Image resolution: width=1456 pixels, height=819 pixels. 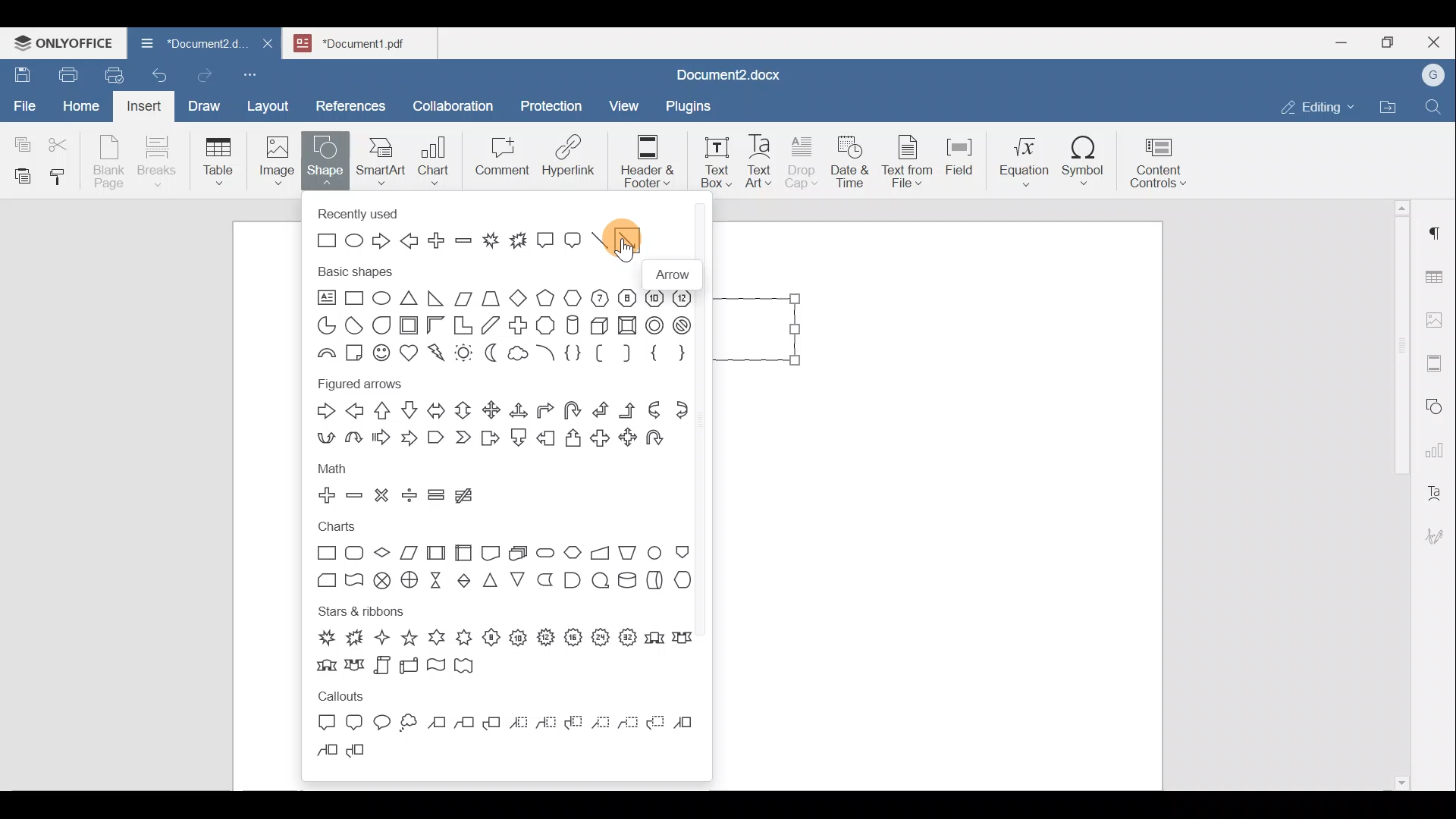 I want to click on Stars & ribbons, so click(x=496, y=639).